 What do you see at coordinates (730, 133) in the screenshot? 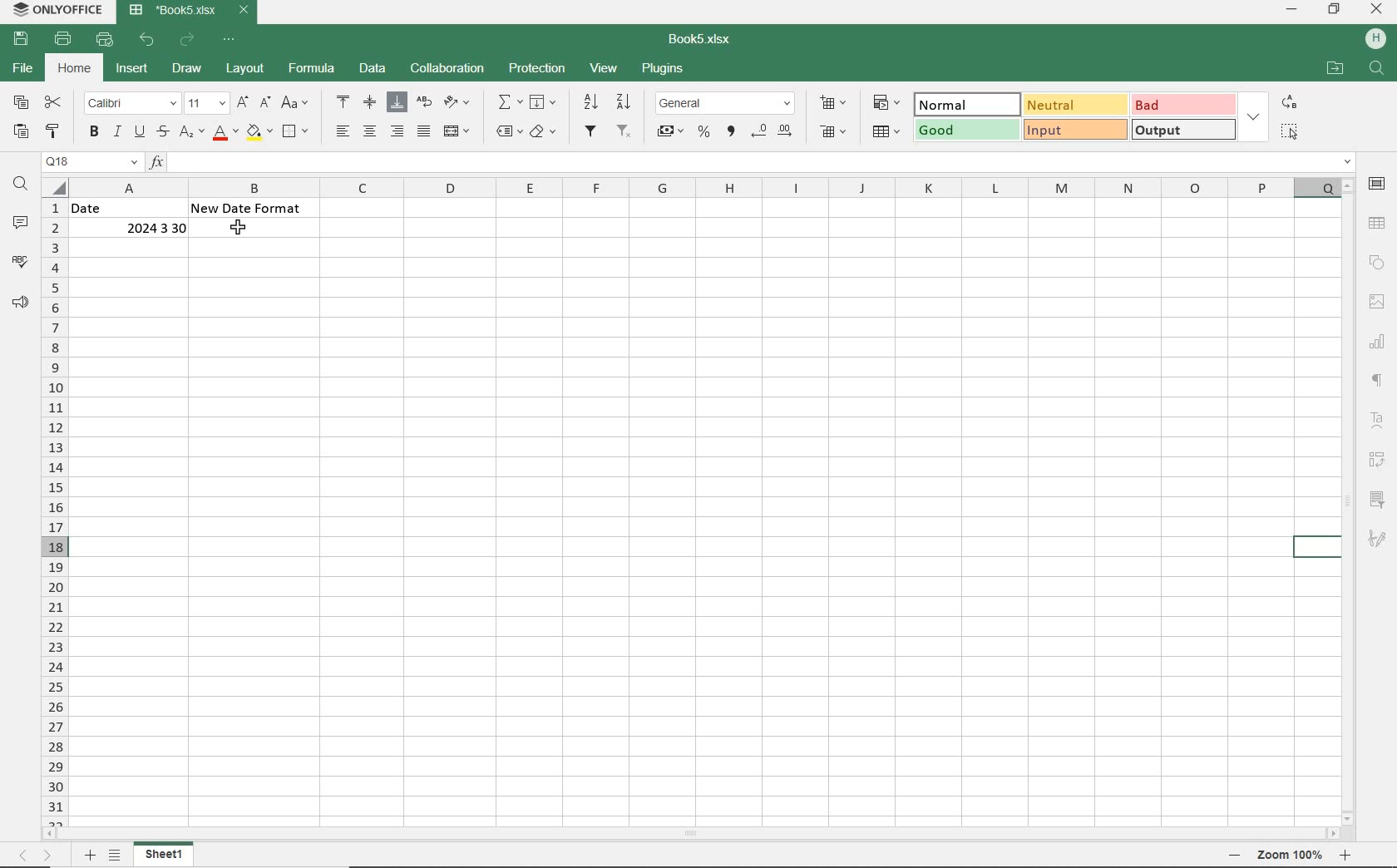
I see `COMMA STYLE` at bounding box center [730, 133].